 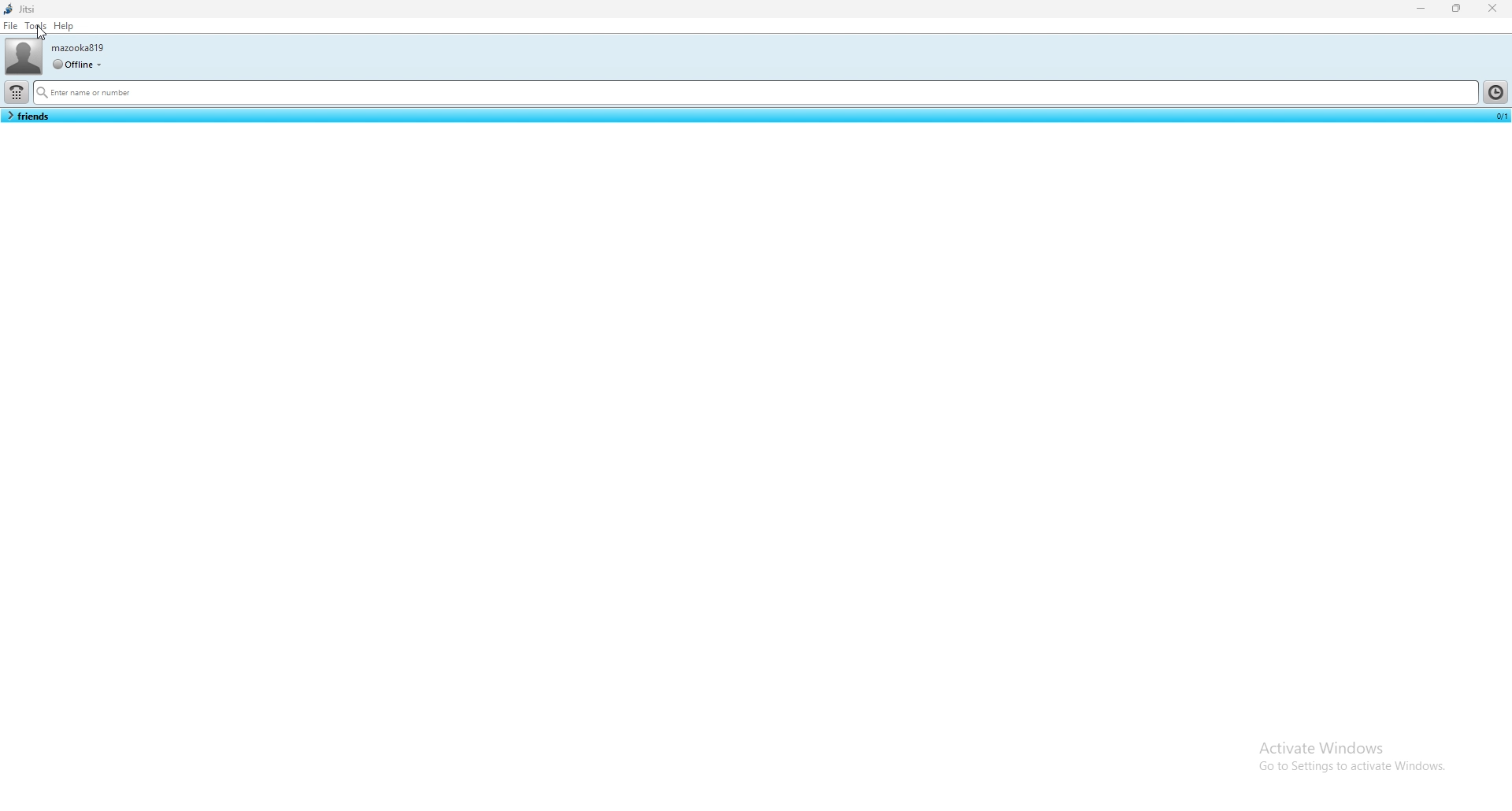 What do you see at coordinates (1350, 770) in the screenshot?
I see `Go to settings to activate Windows.` at bounding box center [1350, 770].